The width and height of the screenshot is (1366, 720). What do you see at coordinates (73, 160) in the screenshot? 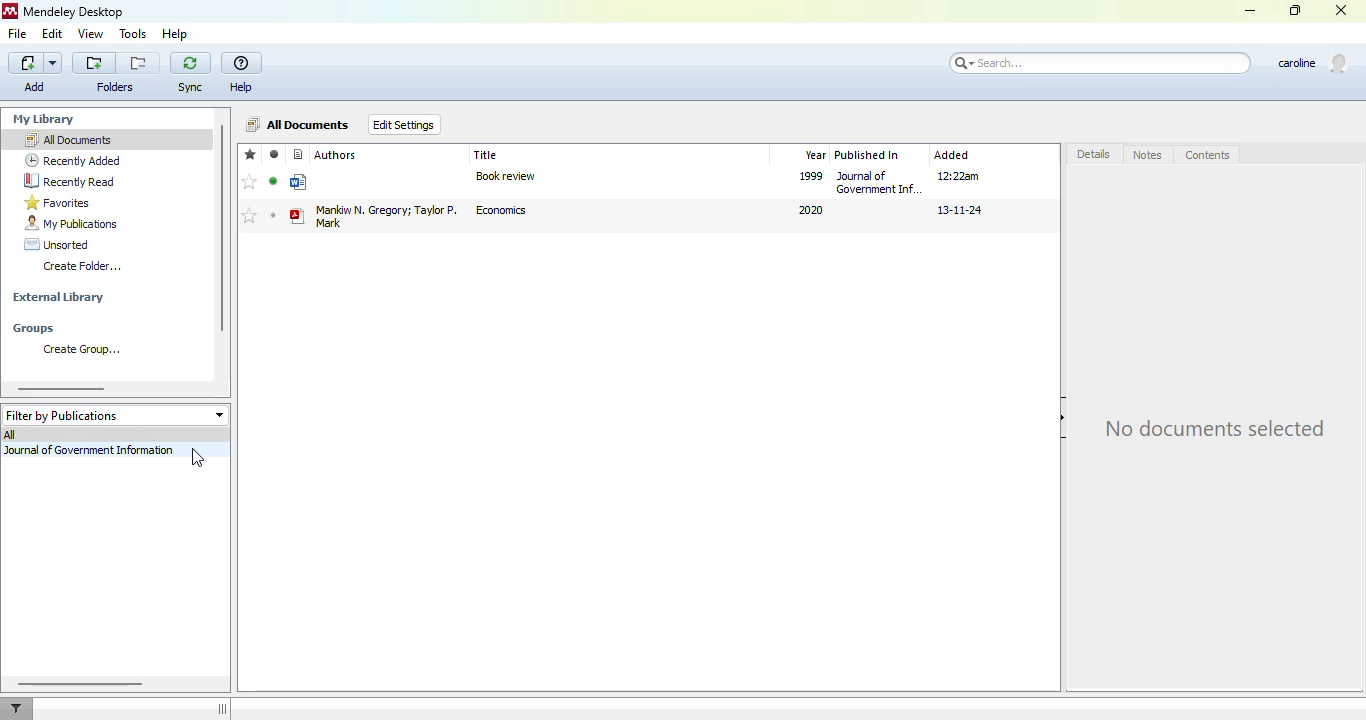
I see `recently added` at bounding box center [73, 160].